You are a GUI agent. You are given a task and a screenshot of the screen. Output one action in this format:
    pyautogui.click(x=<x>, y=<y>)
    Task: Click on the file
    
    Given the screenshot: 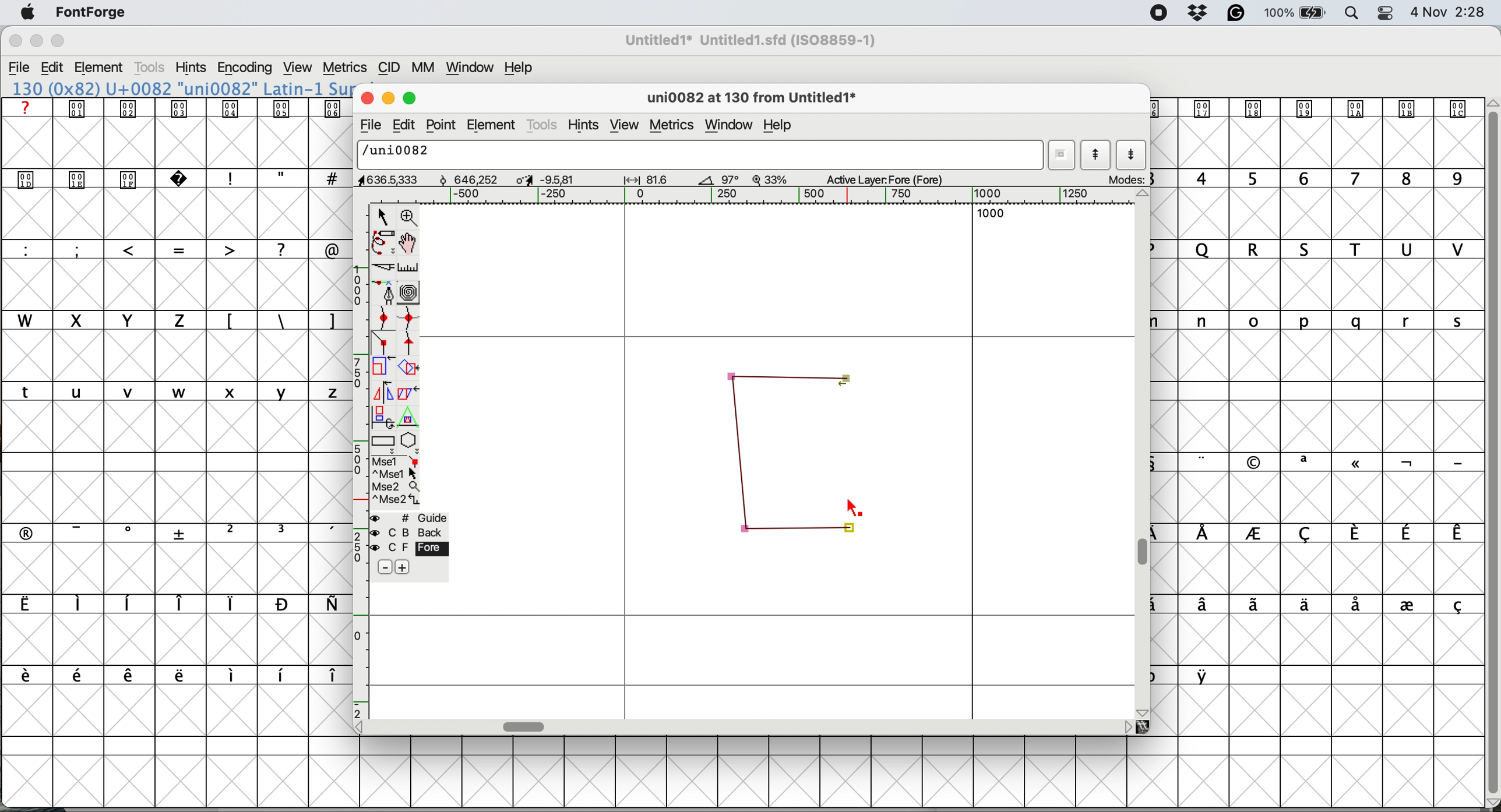 What is the action you would take?
    pyautogui.click(x=20, y=68)
    